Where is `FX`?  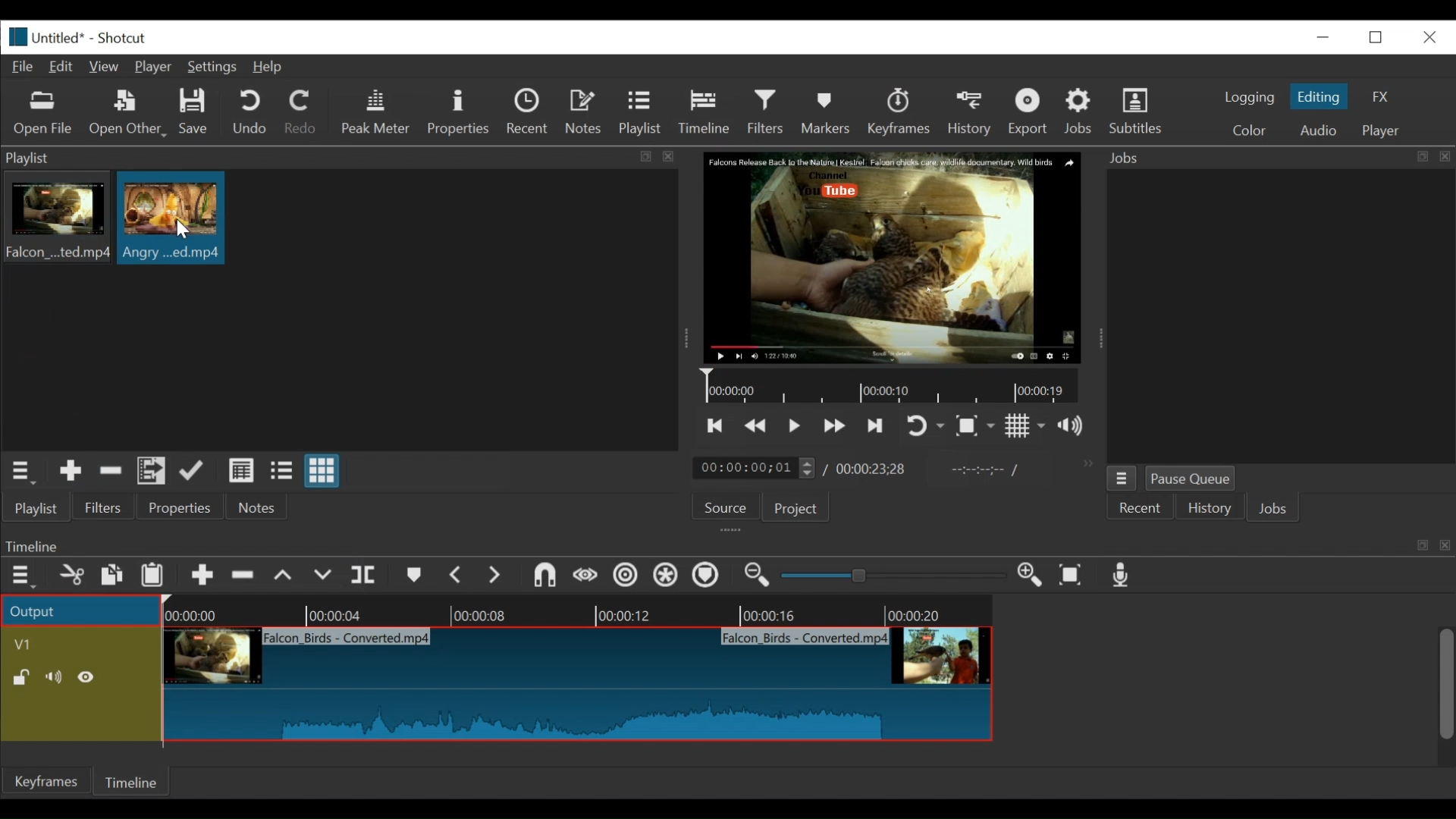
FX is located at coordinates (1381, 97).